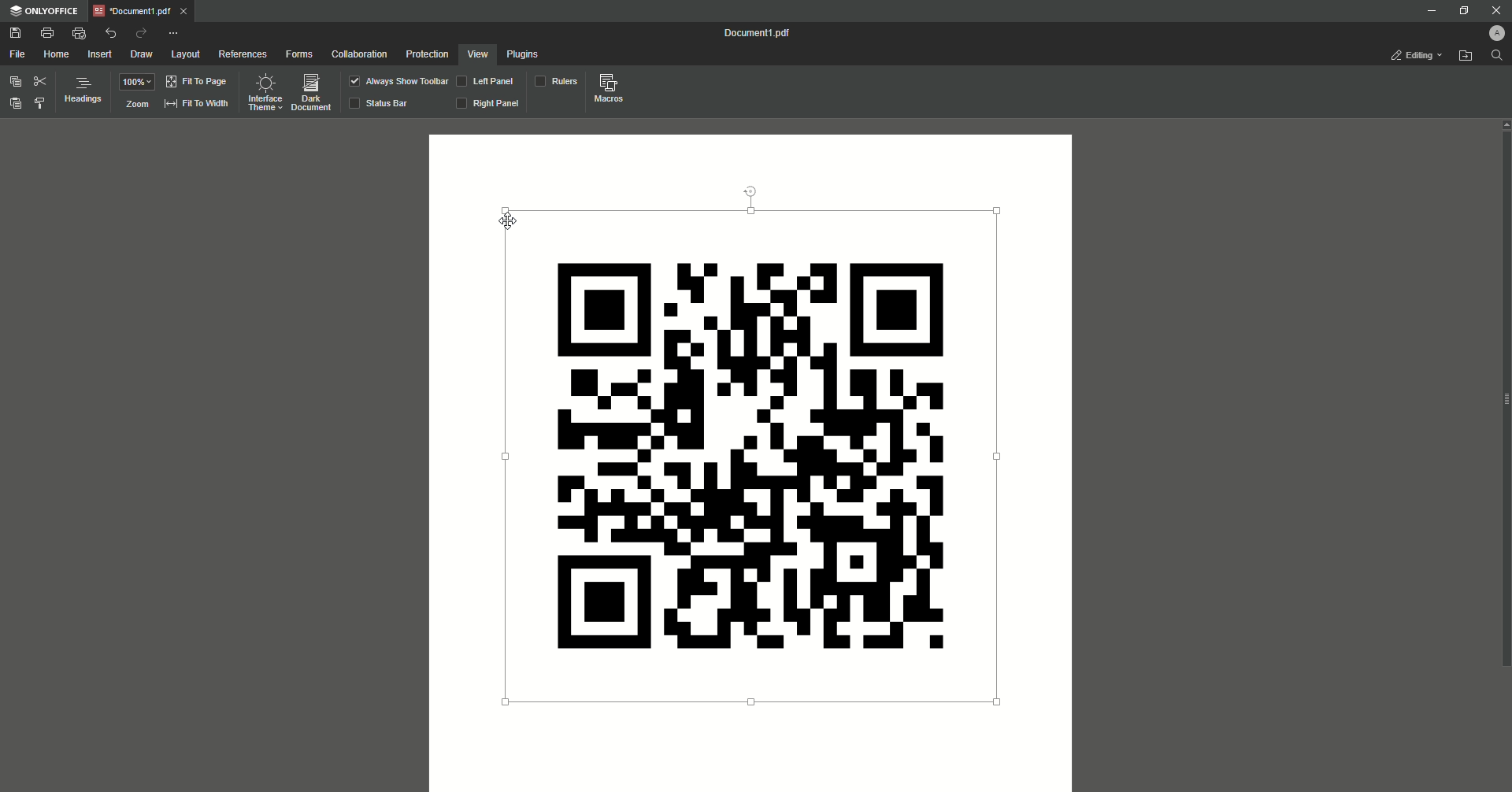  What do you see at coordinates (1462, 12) in the screenshot?
I see `Restore` at bounding box center [1462, 12].